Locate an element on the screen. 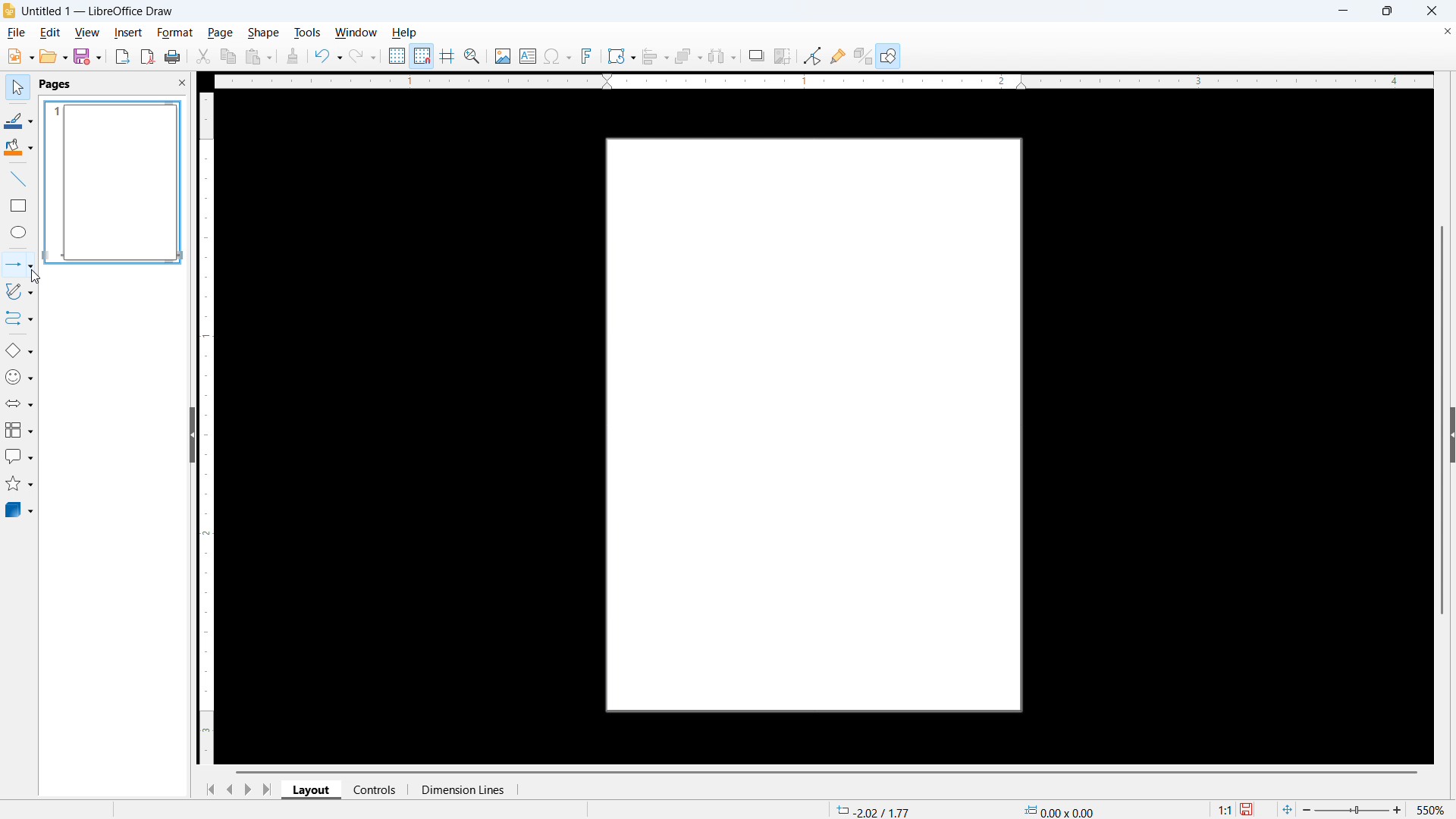 The width and height of the screenshot is (1456, 819). New  is located at coordinates (20, 57).